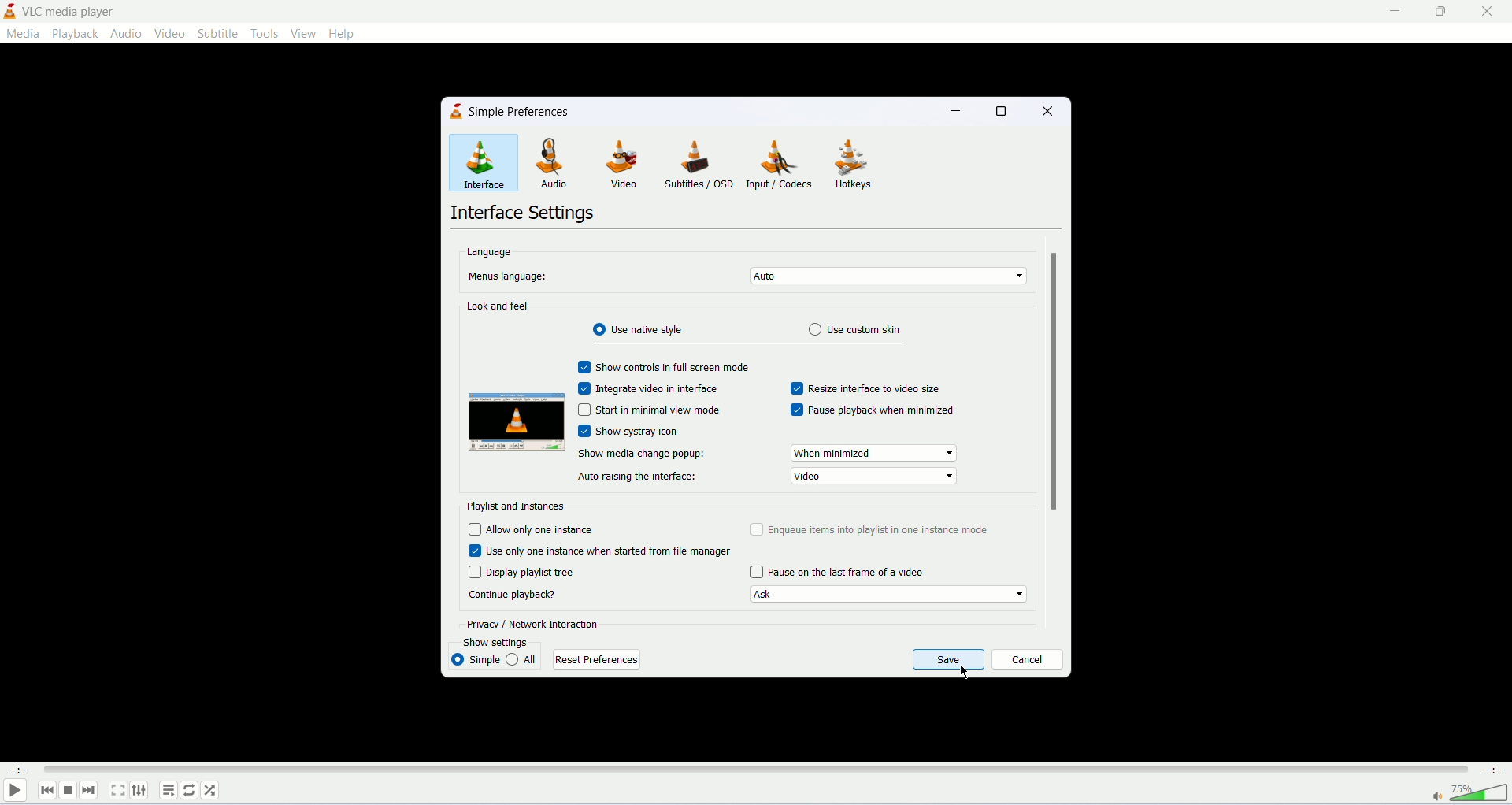 Image resolution: width=1512 pixels, height=805 pixels. Describe the element at coordinates (1469, 794) in the screenshot. I see `volume bar` at that location.